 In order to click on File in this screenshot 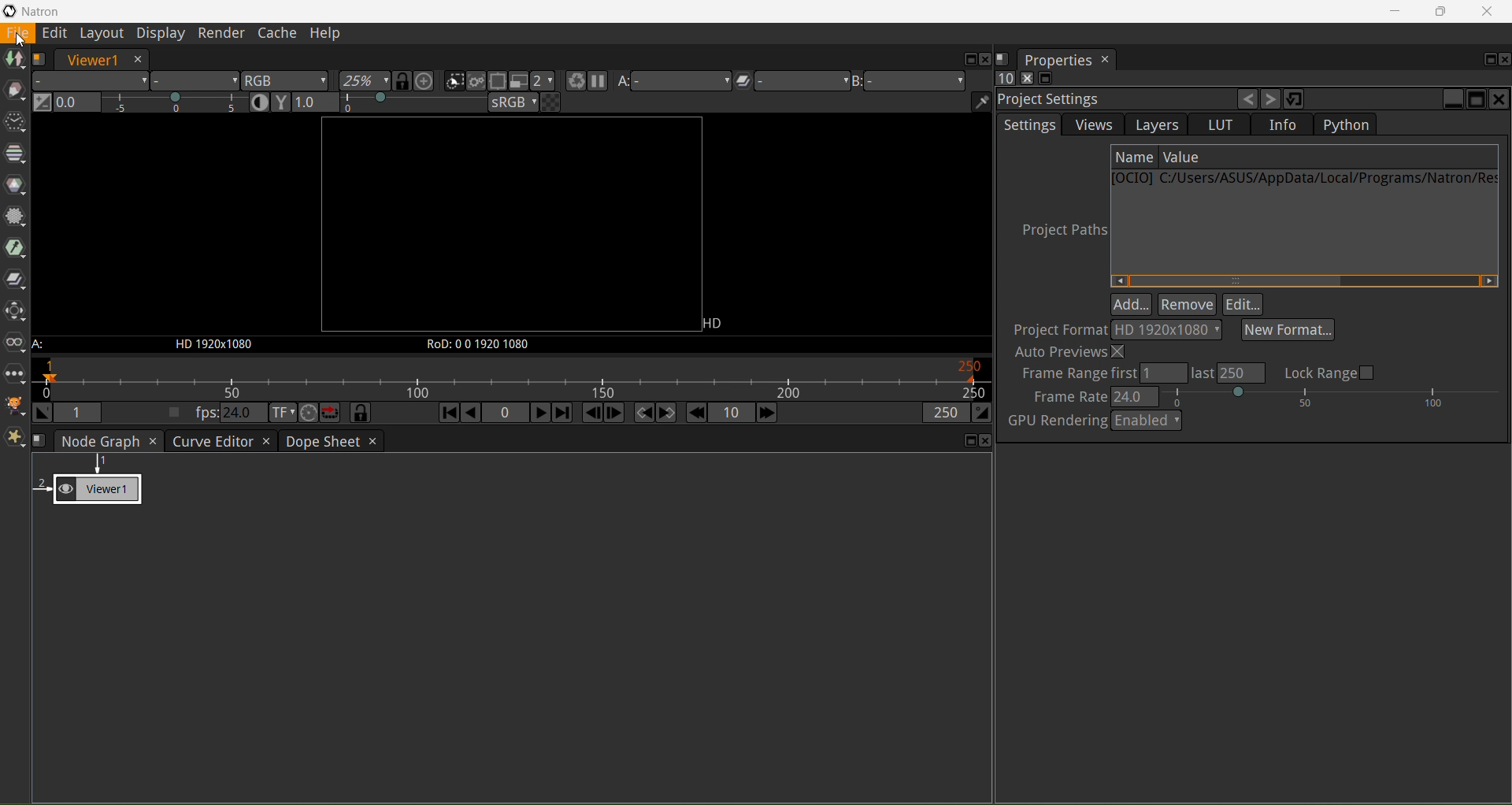, I will do `click(21, 35)`.